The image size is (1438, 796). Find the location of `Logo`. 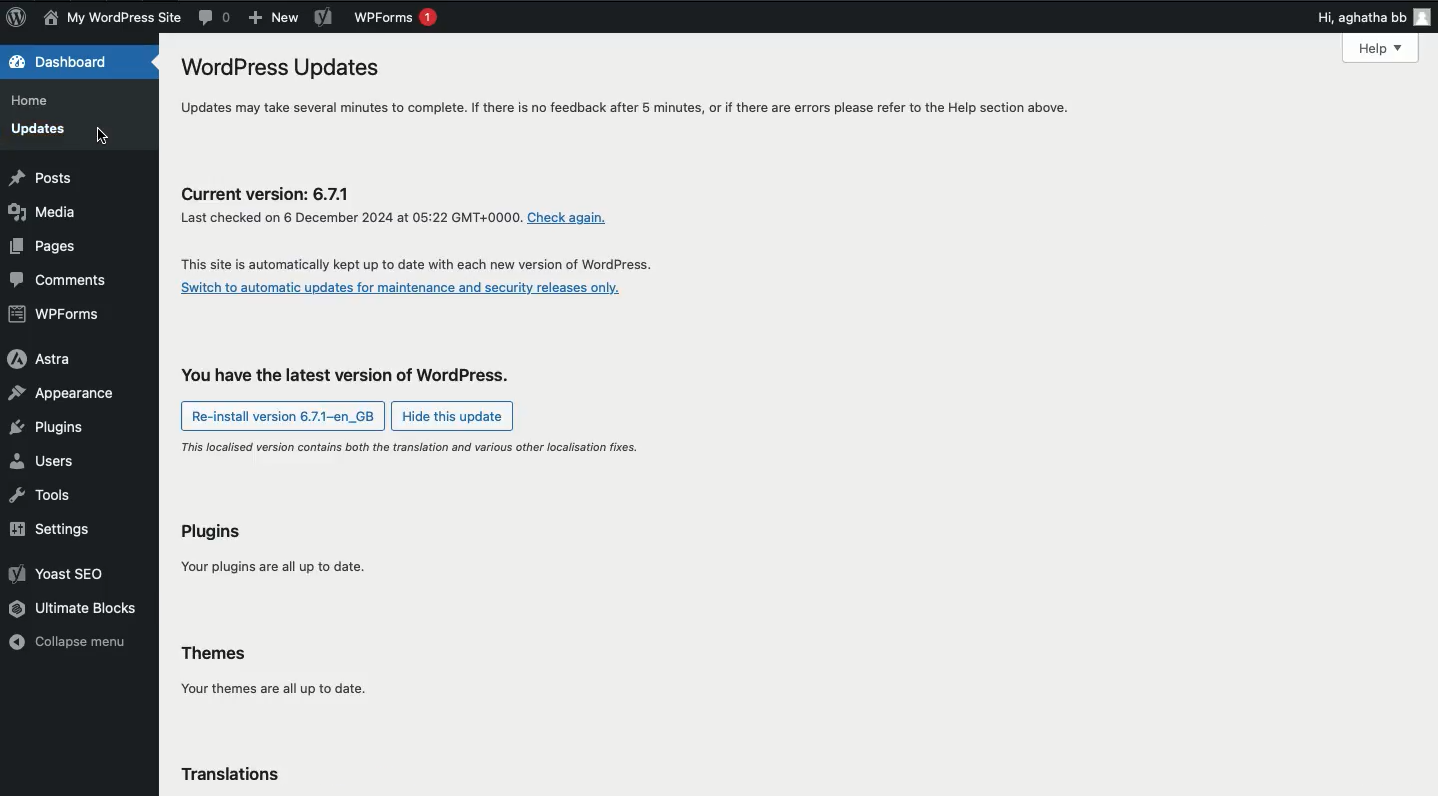

Logo is located at coordinates (19, 17).